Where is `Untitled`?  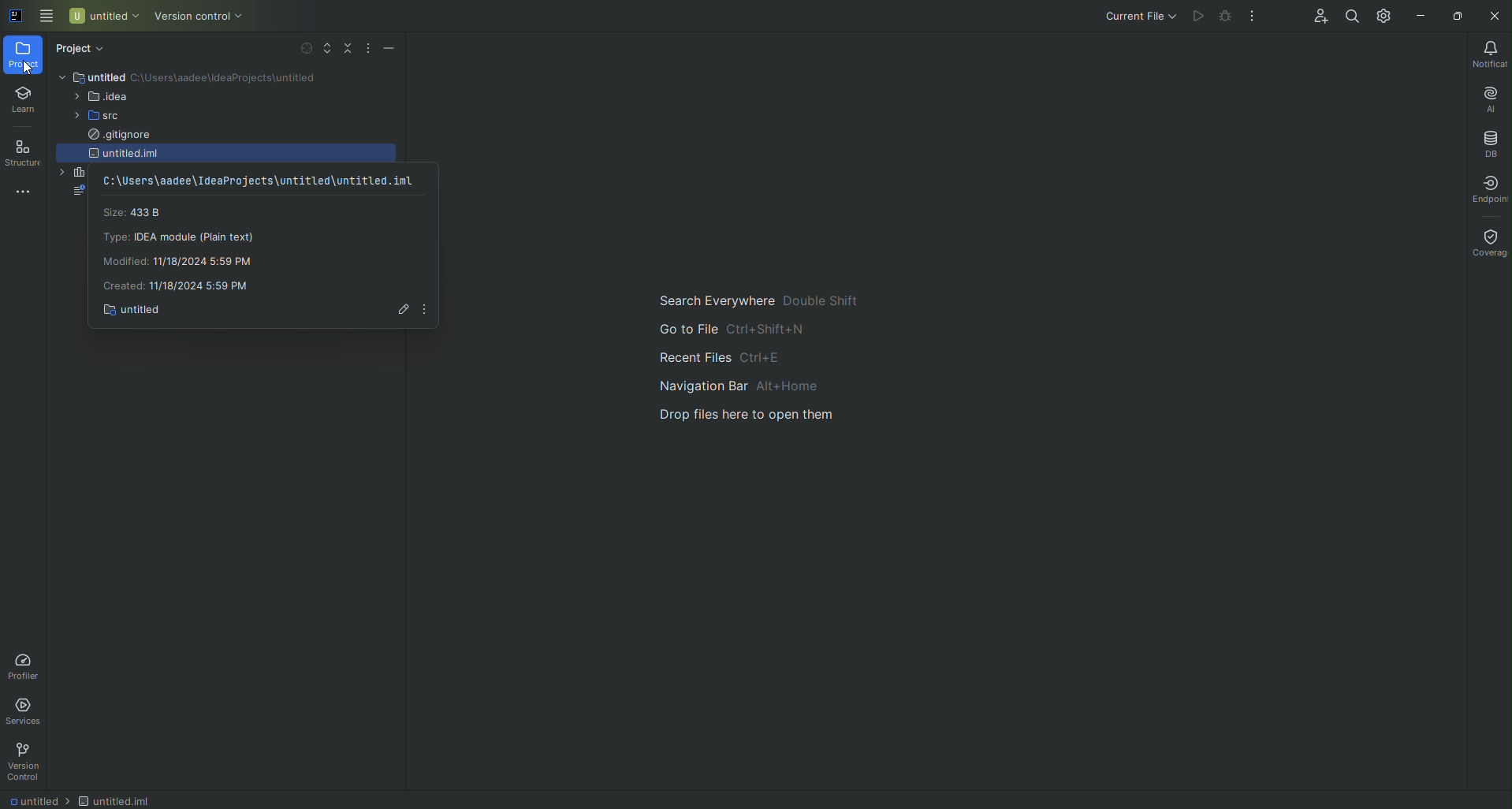
Untitled is located at coordinates (39, 799).